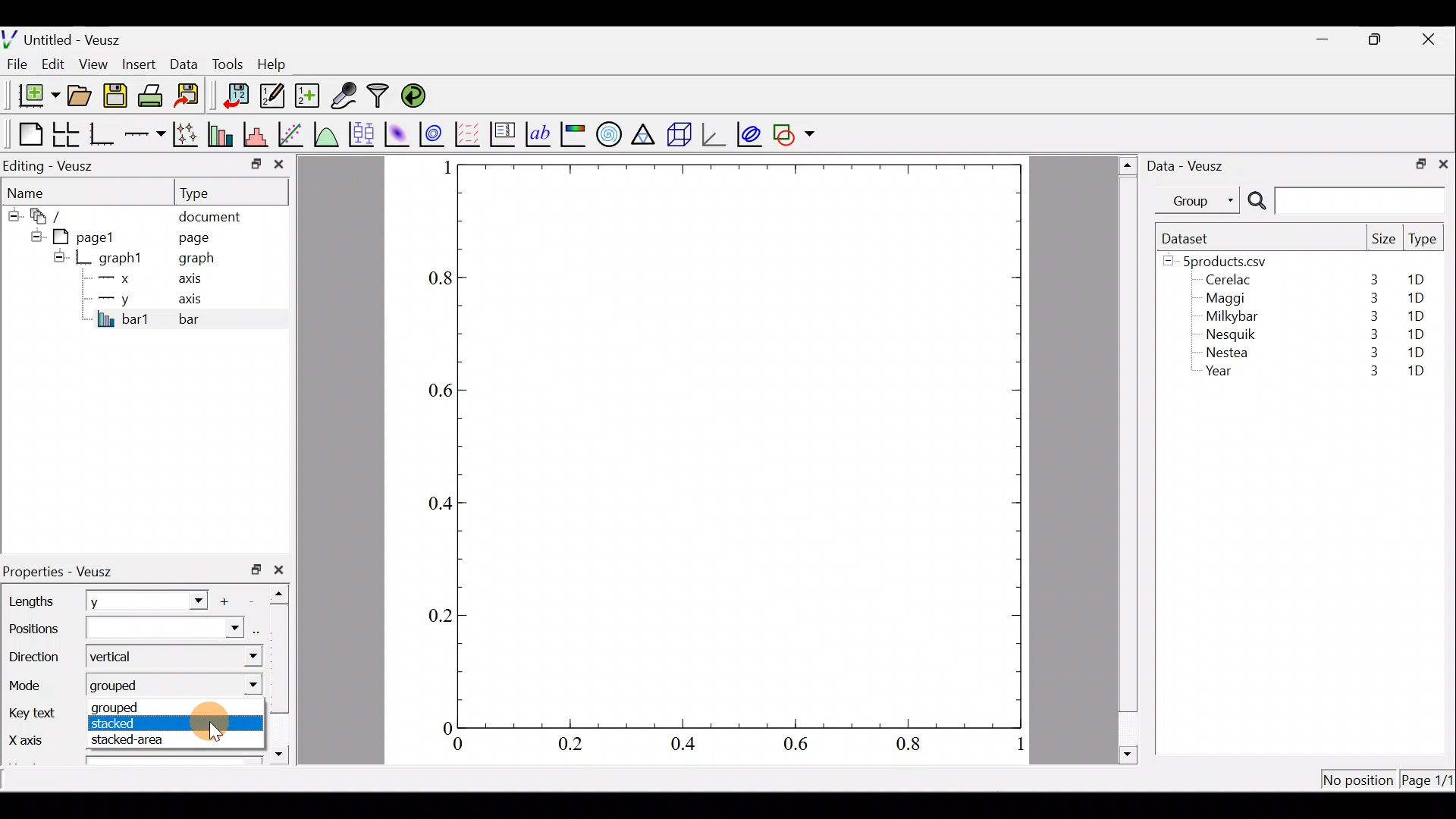 This screenshot has height=819, width=1456. Describe the element at coordinates (124, 318) in the screenshot. I see `bar1` at that location.